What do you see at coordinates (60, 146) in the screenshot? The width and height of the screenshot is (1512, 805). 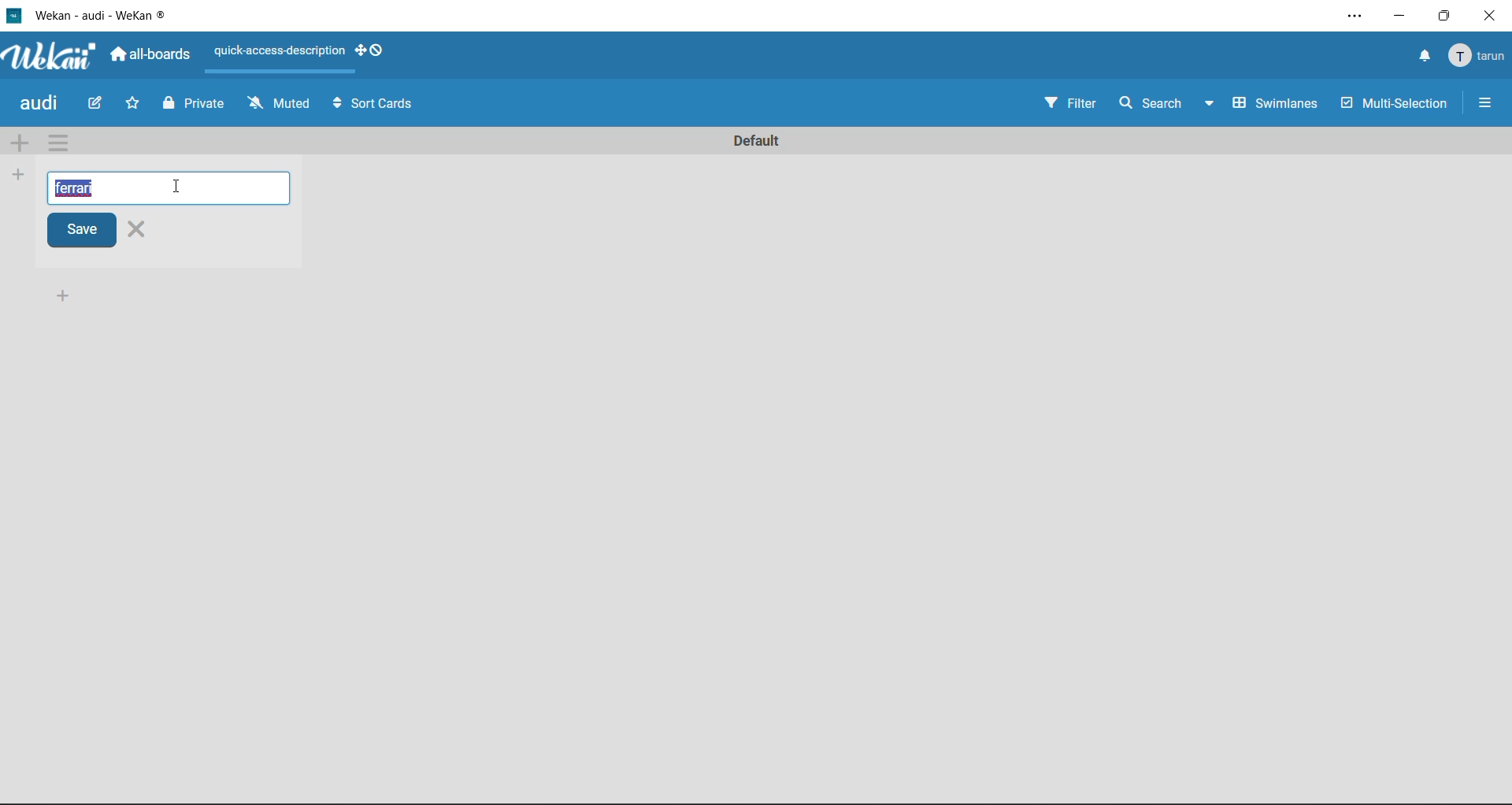 I see `swimlane action` at bounding box center [60, 146].